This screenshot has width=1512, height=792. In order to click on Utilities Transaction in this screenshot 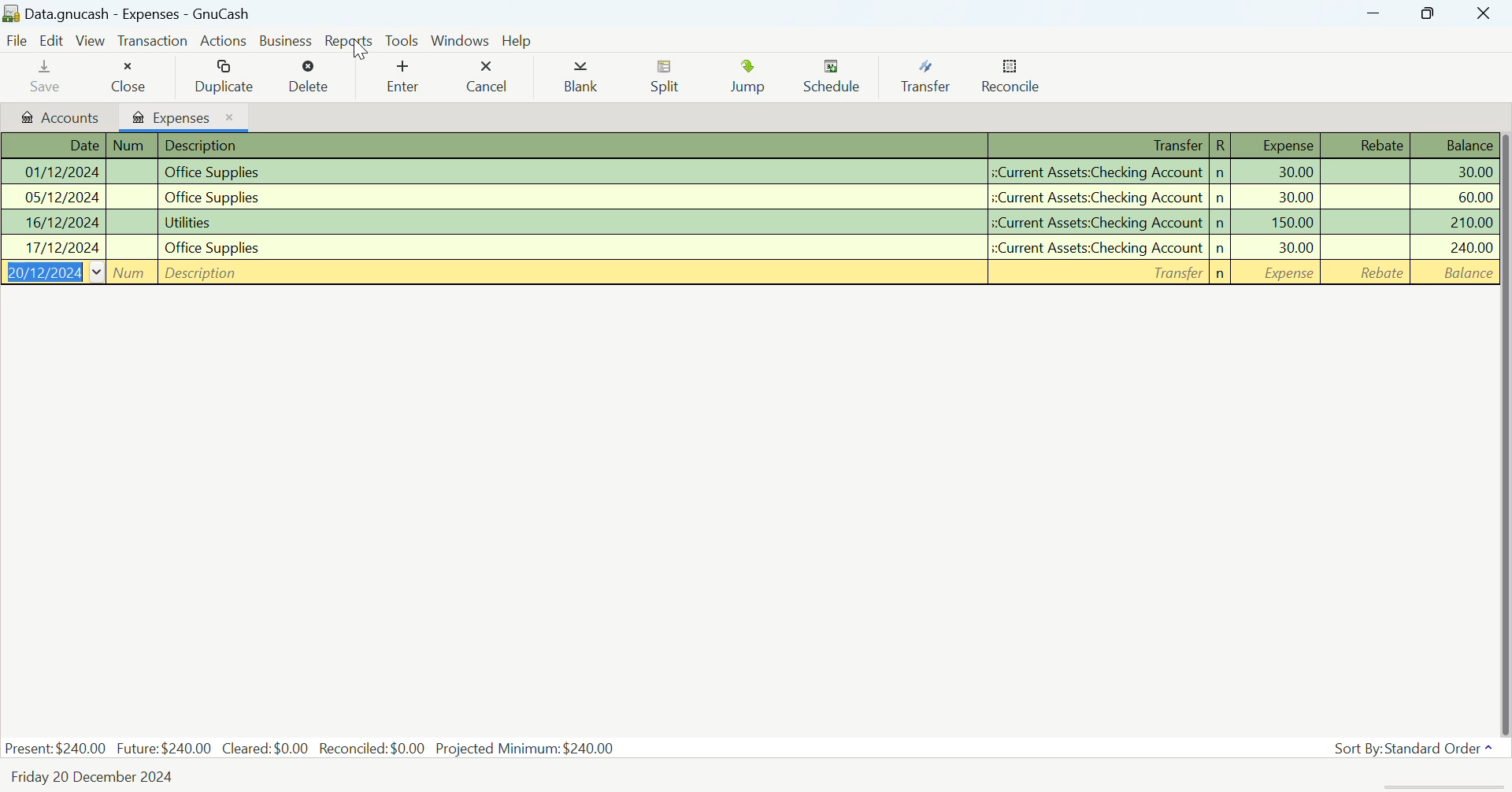, I will do `click(750, 221)`.